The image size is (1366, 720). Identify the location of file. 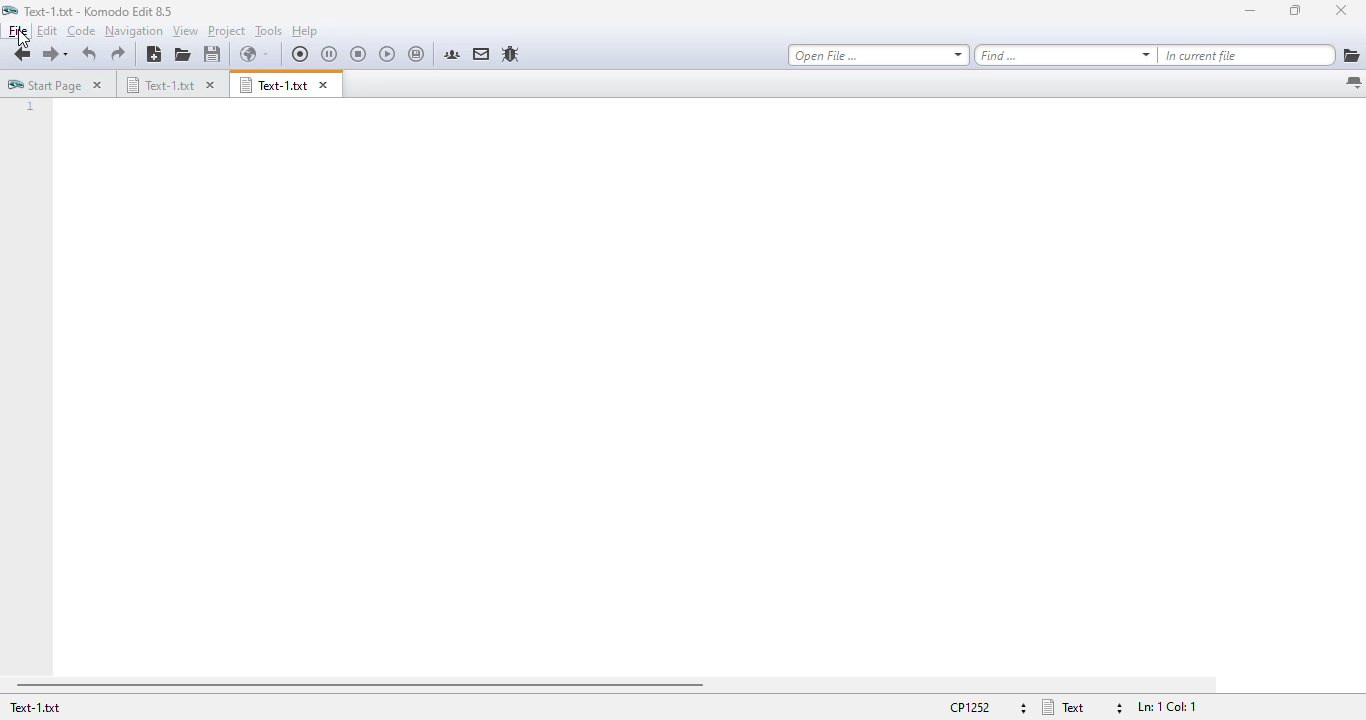
(18, 30).